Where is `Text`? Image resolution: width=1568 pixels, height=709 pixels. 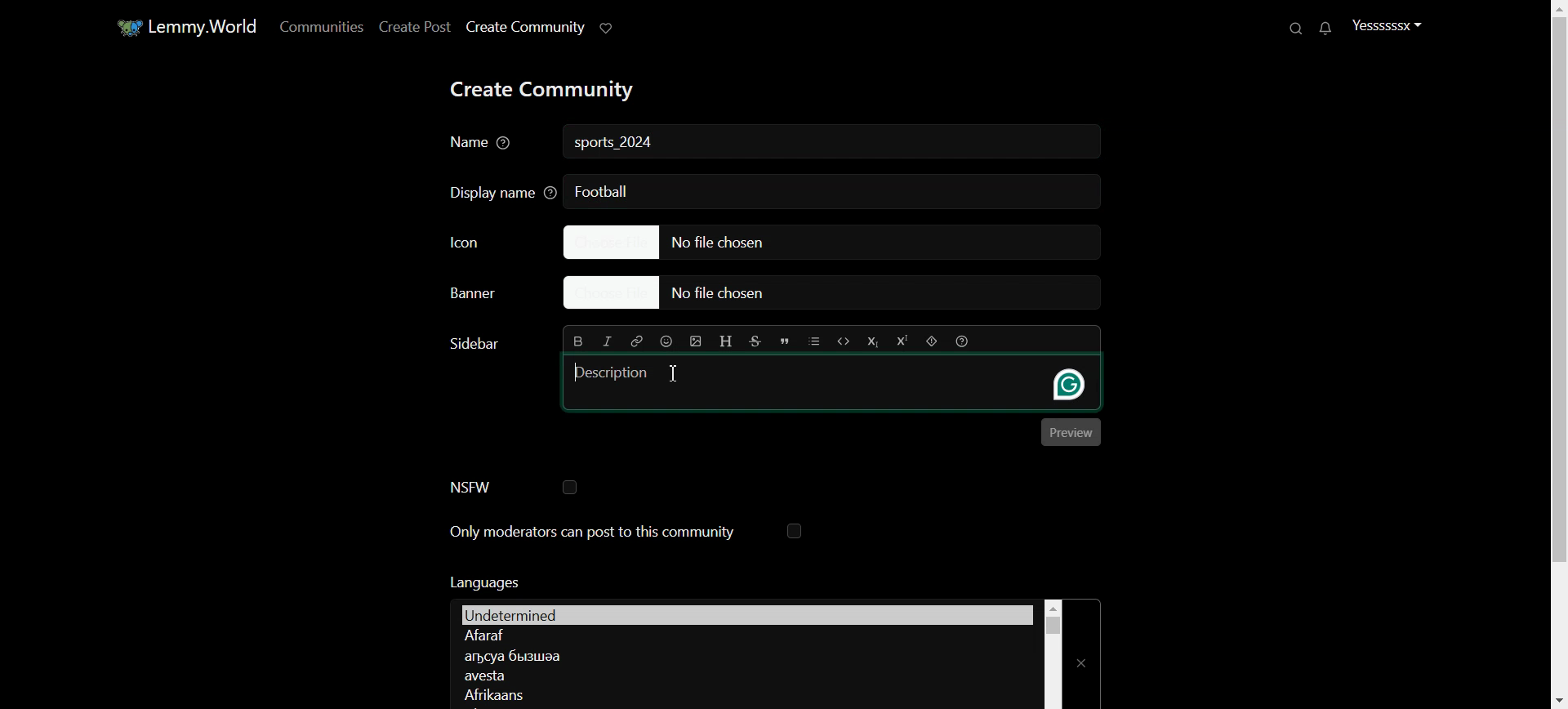
Text is located at coordinates (616, 144).